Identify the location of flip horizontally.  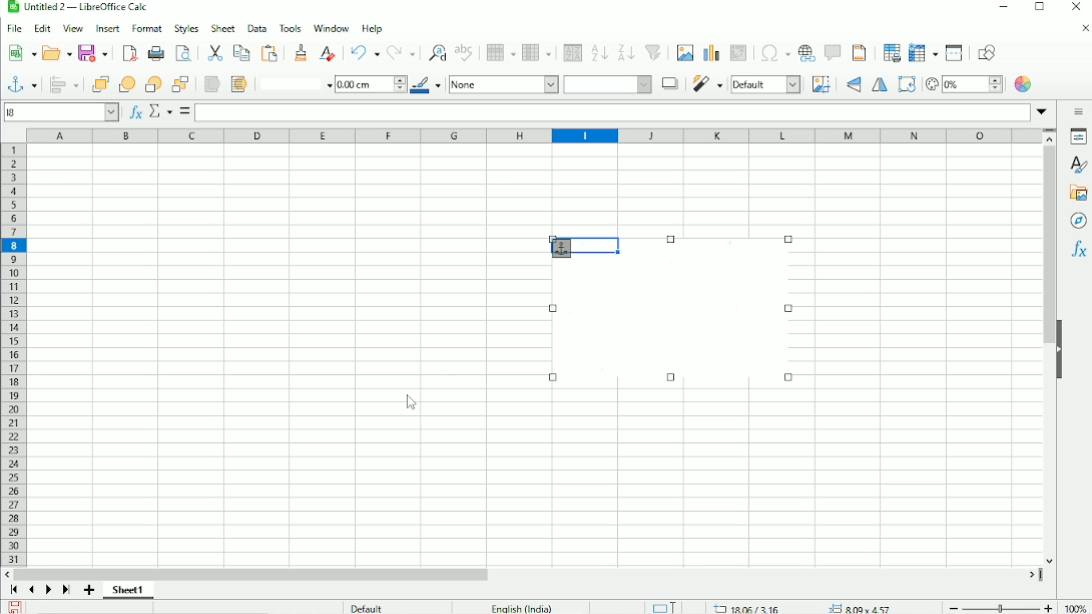
(881, 85).